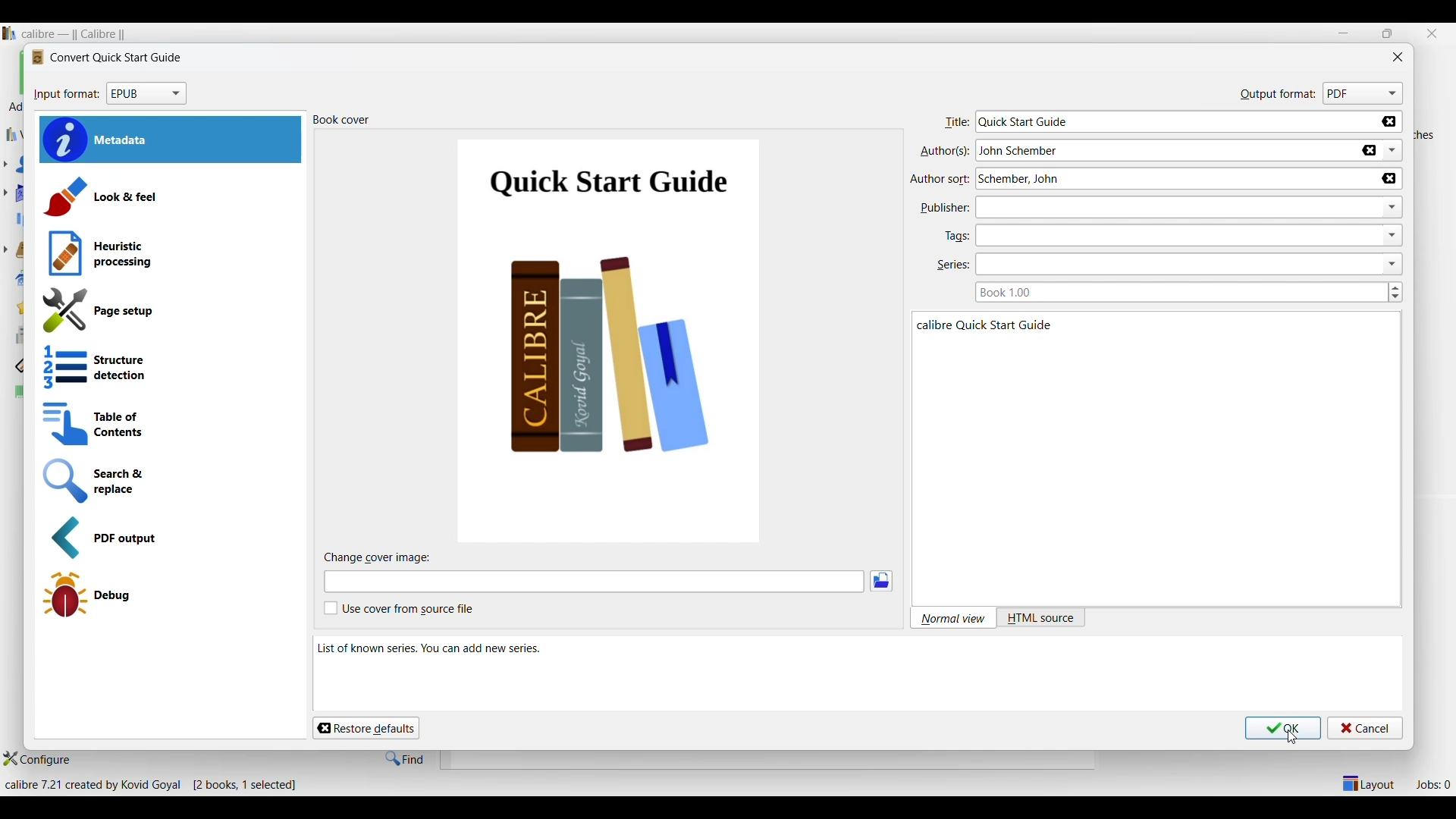  What do you see at coordinates (1388, 33) in the screenshot?
I see `restore` at bounding box center [1388, 33].